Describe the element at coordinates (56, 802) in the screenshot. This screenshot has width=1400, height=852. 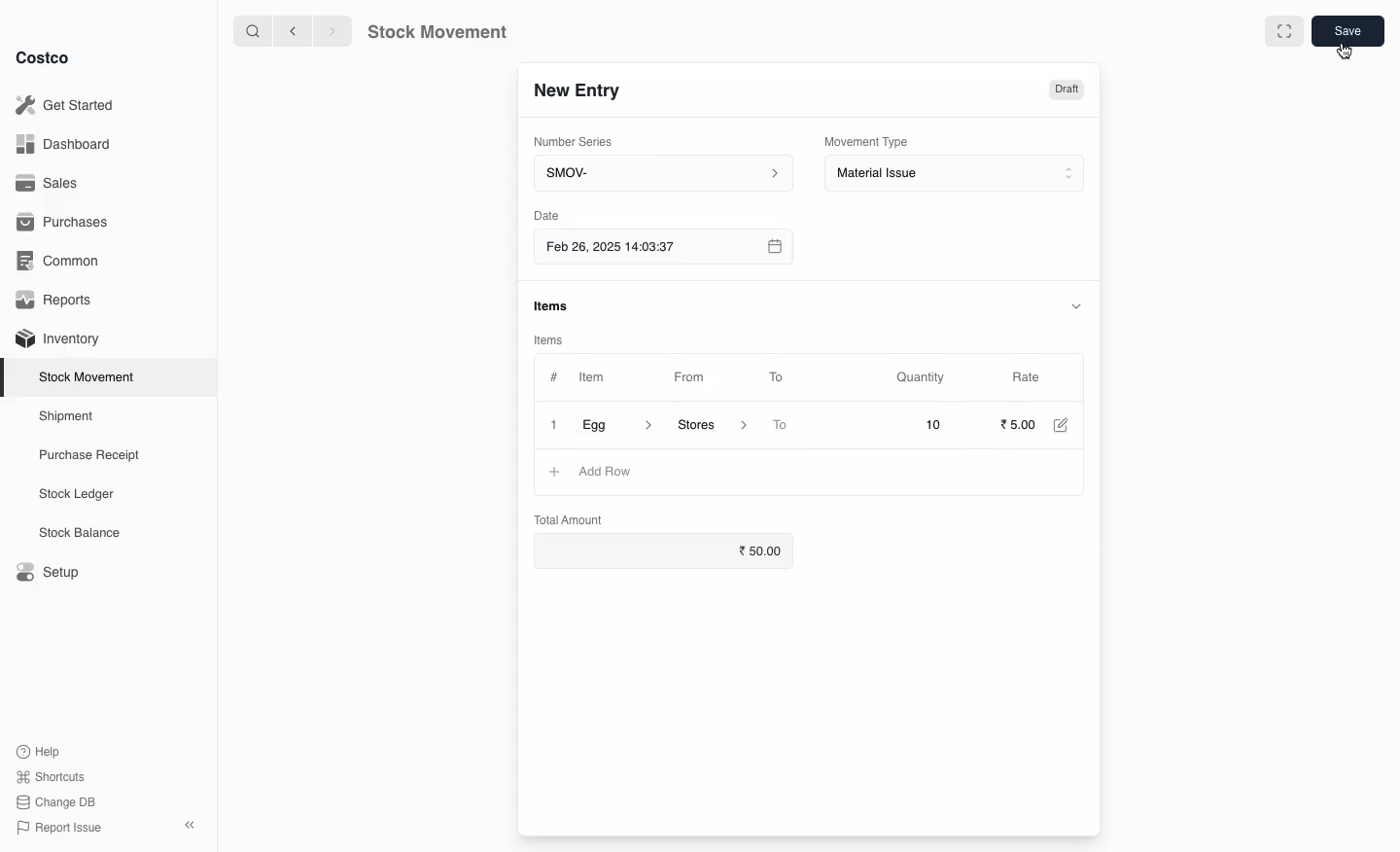
I see `Change DB` at that location.